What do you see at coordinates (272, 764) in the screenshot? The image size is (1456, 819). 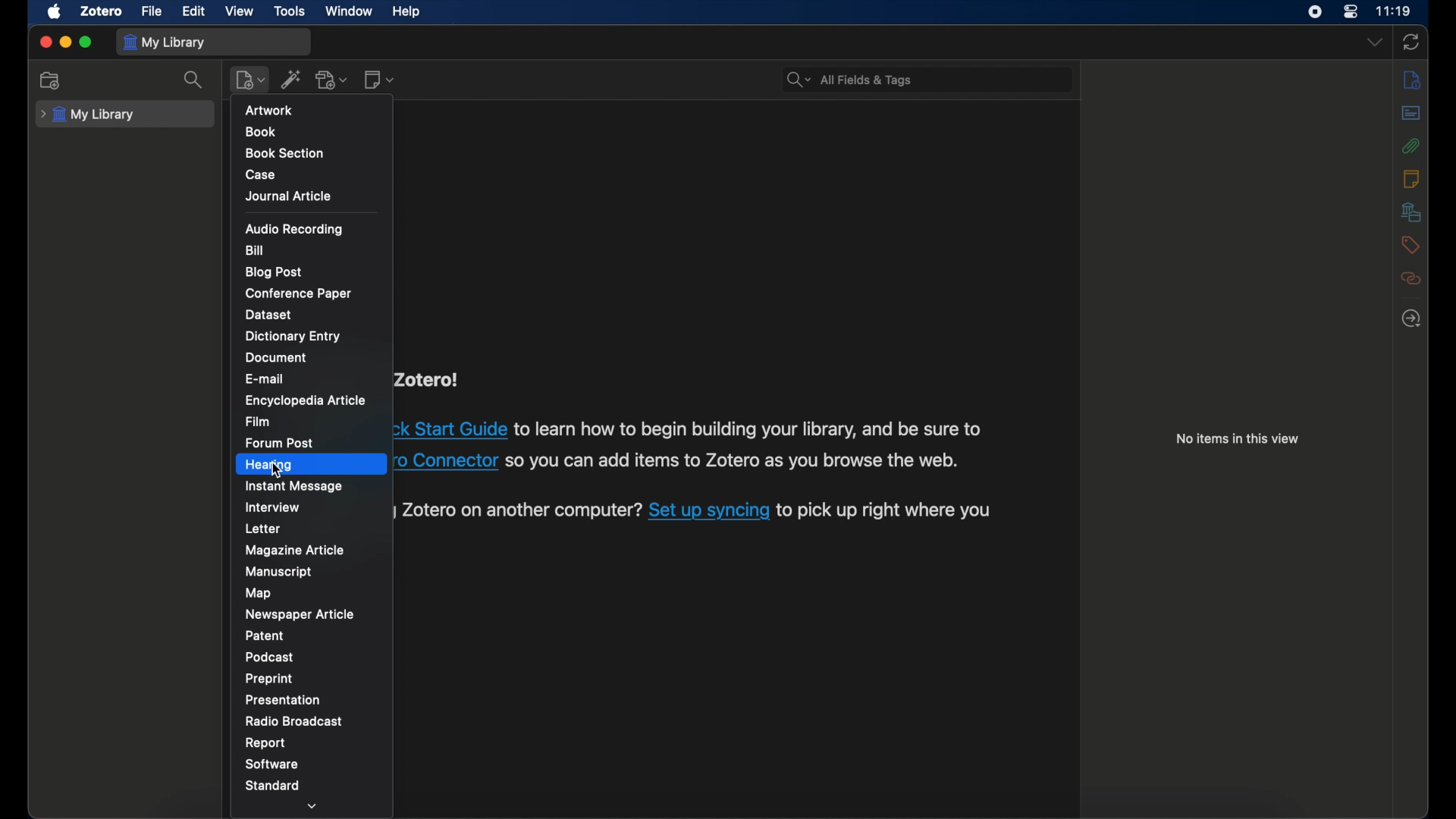 I see `software` at bounding box center [272, 764].